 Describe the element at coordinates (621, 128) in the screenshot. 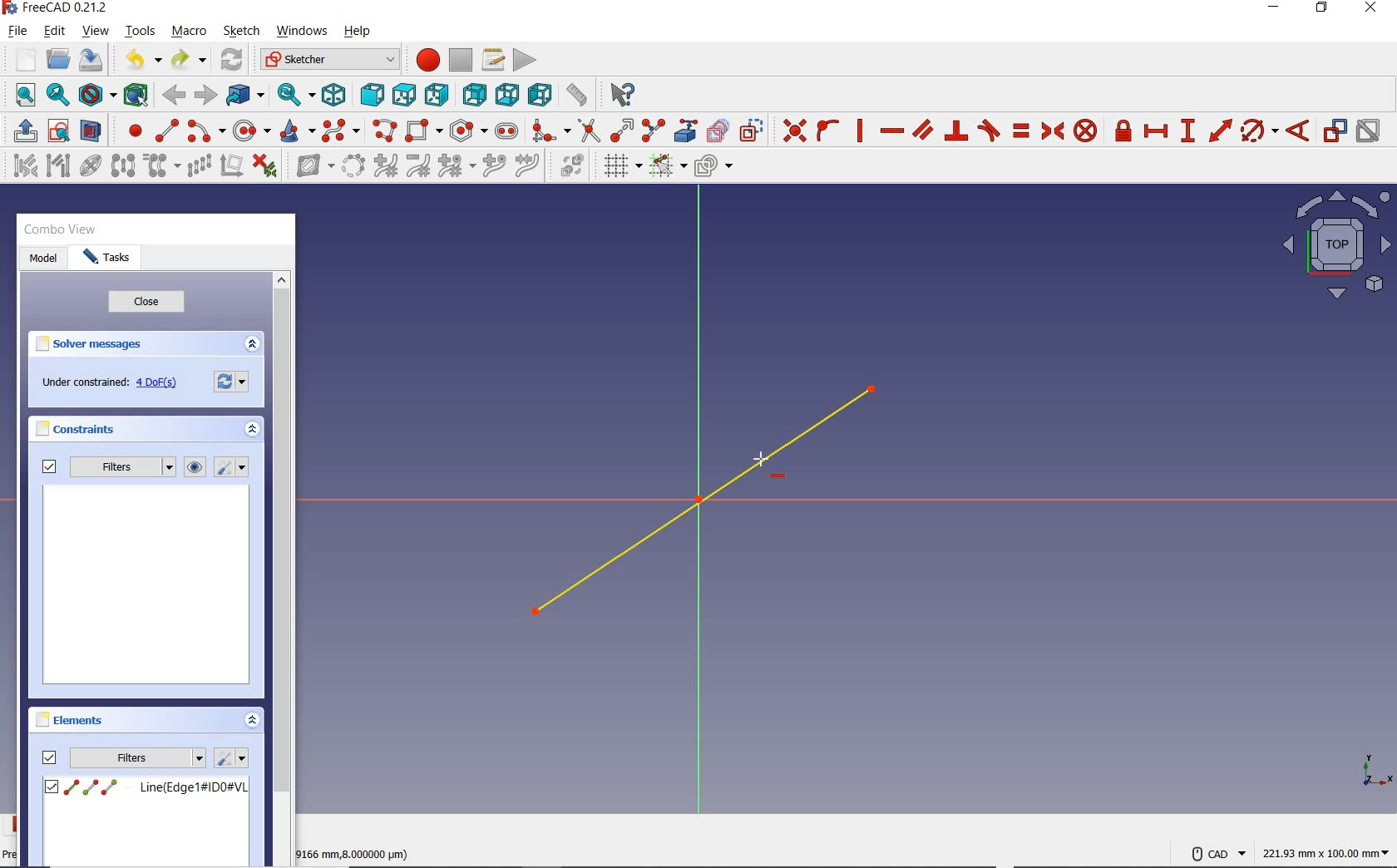

I see `EXTEND EDGE` at that location.